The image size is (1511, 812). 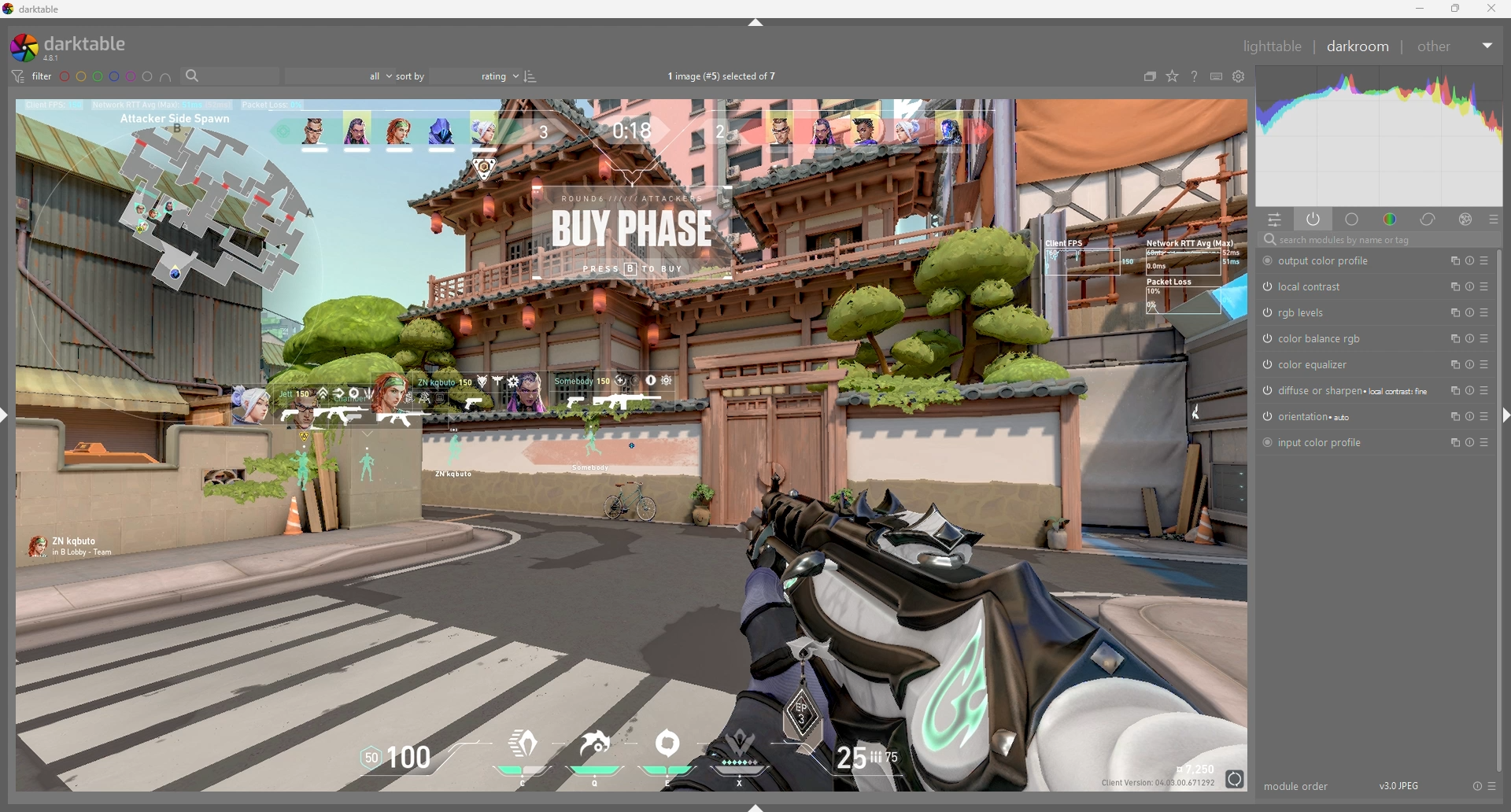 What do you see at coordinates (1451, 314) in the screenshot?
I see `multiple instances actions` at bounding box center [1451, 314].